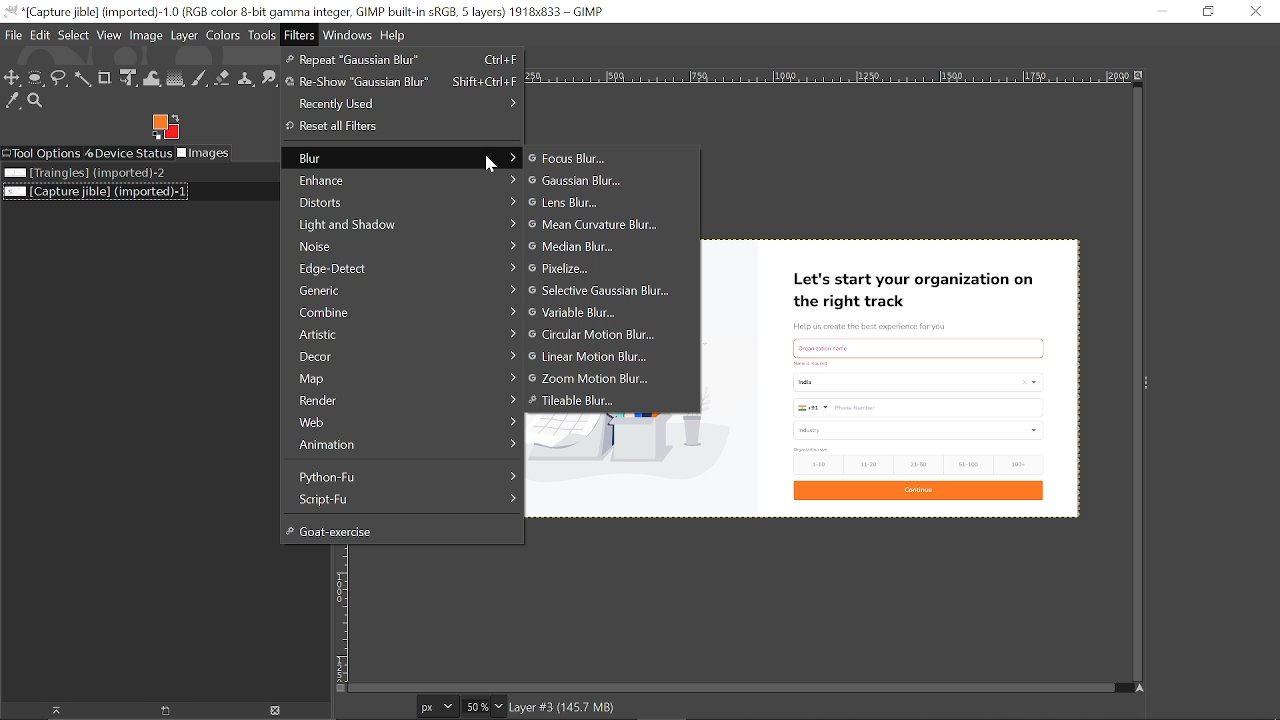  I want to click on Map, so click(401, 378).